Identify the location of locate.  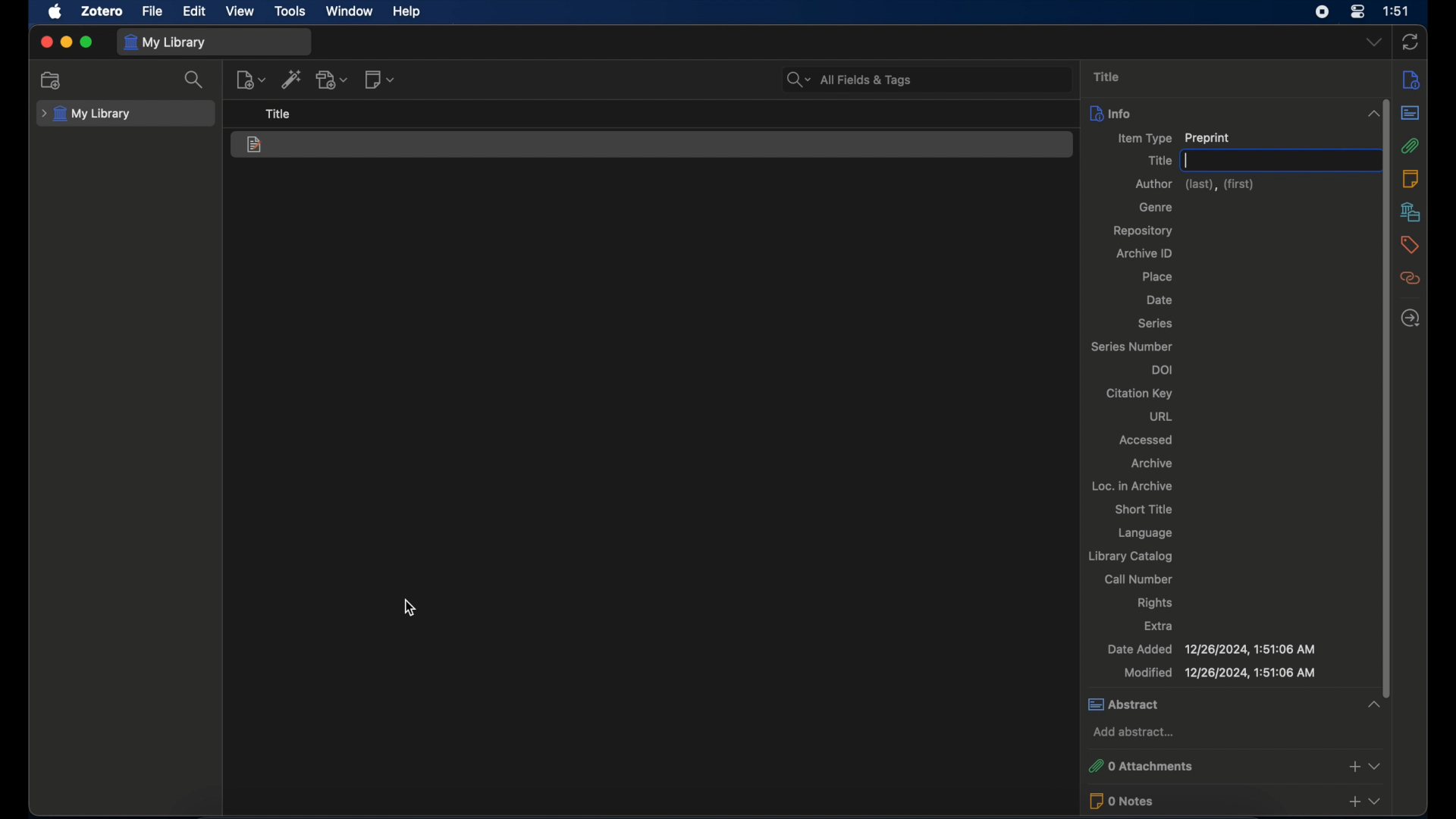
(1410, 318).